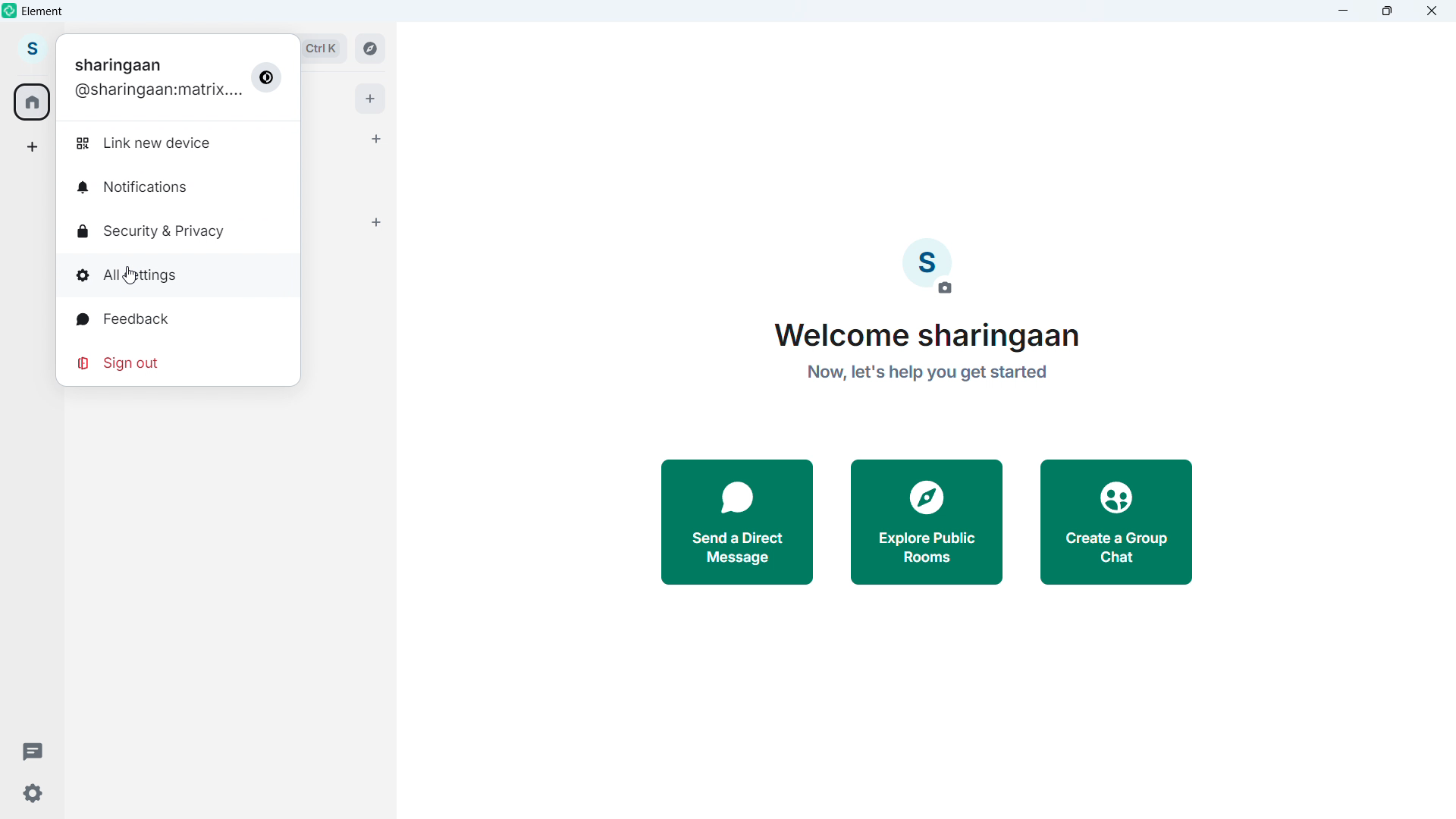 Image resolution: width=1456 pixels, height=819 pixels. I want to click on Account name , so click(120, 65).